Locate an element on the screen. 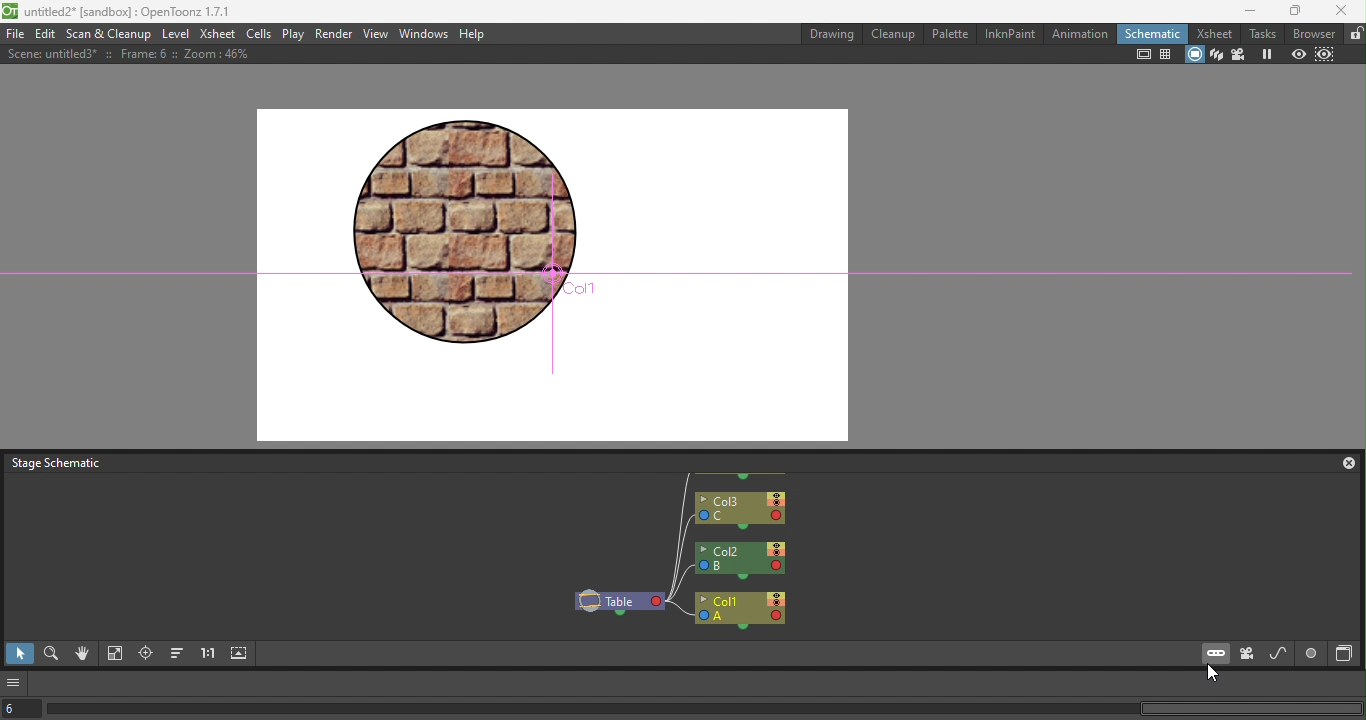 This screenshot has height=720, width=1366. Col3: C is located at coordinates (741, 510).